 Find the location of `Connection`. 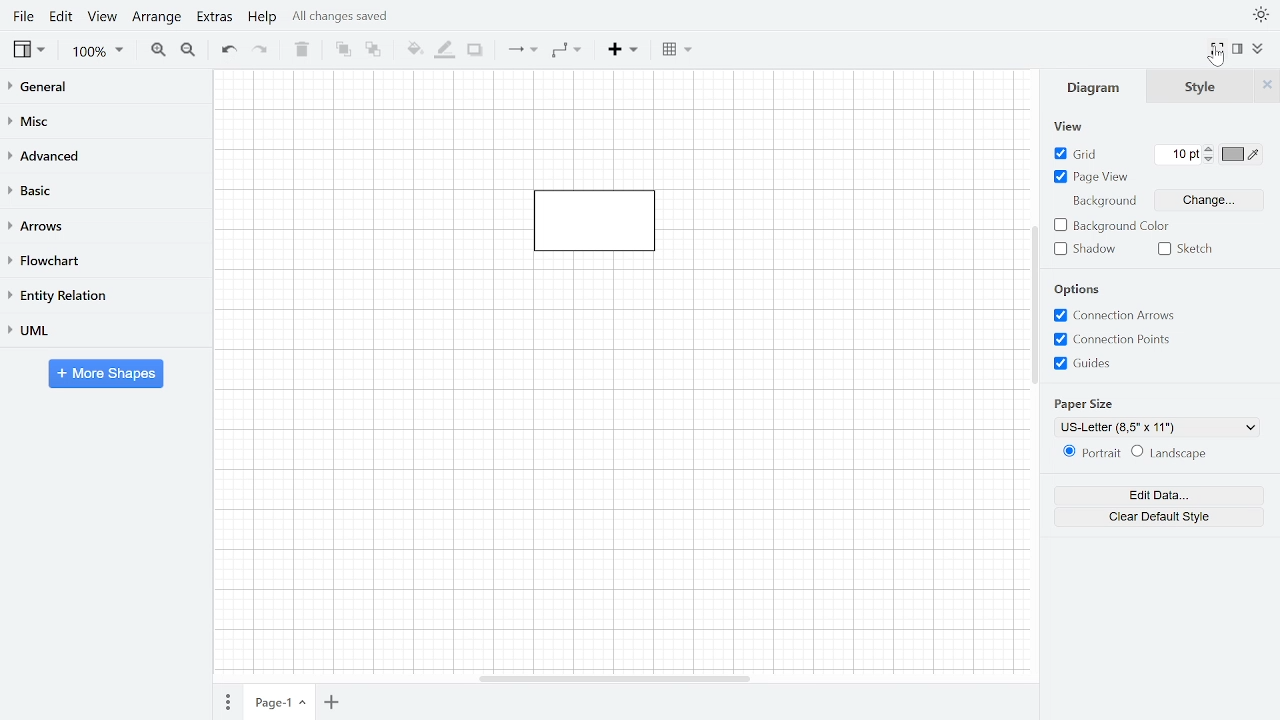

Connection is located at coordinates (521, 53).